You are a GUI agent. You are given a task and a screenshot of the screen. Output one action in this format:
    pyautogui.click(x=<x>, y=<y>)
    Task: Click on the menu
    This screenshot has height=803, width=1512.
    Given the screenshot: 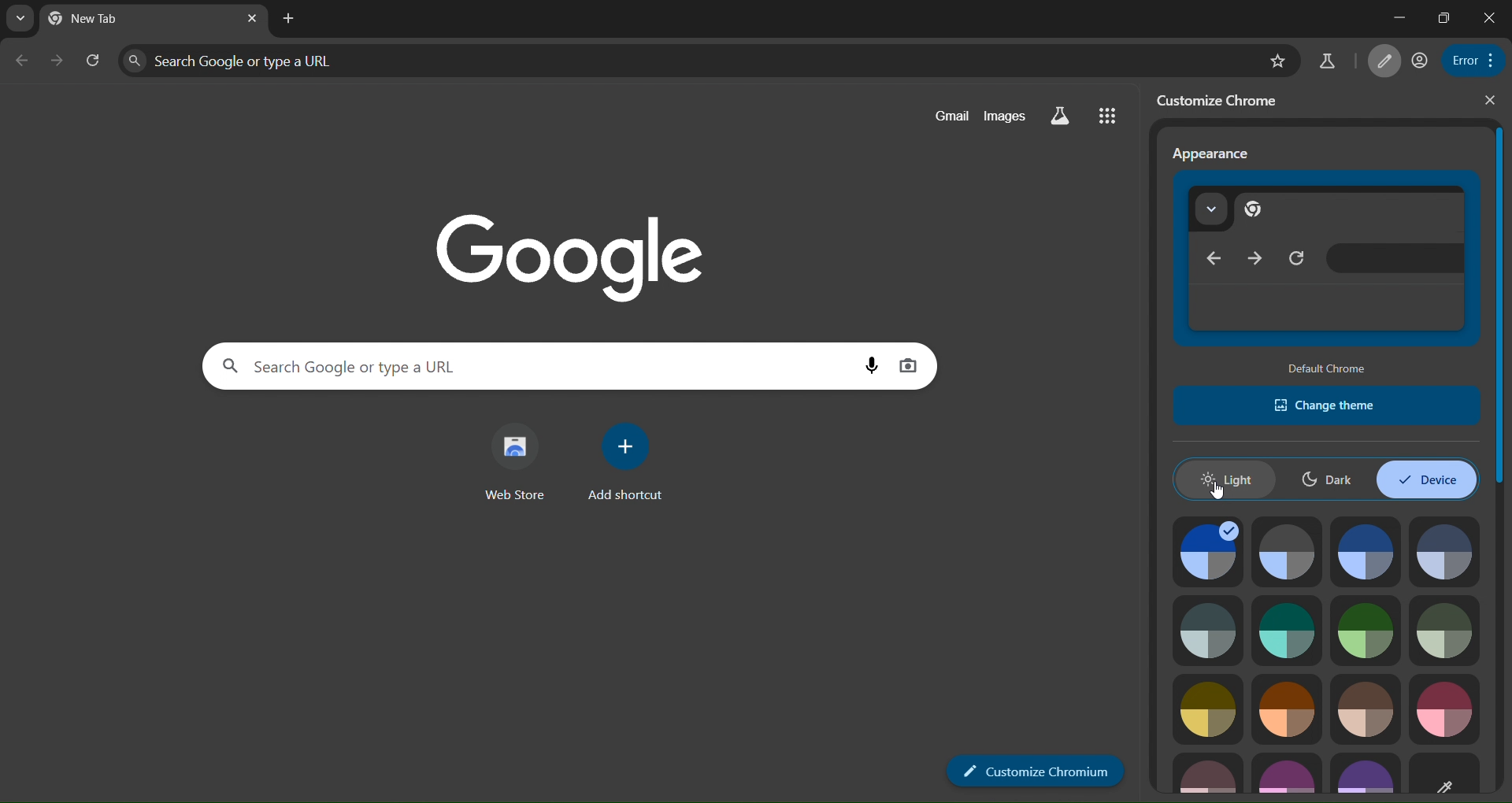 What is the action you would take?
    pyautogui.click(x=1469, y=60)
    